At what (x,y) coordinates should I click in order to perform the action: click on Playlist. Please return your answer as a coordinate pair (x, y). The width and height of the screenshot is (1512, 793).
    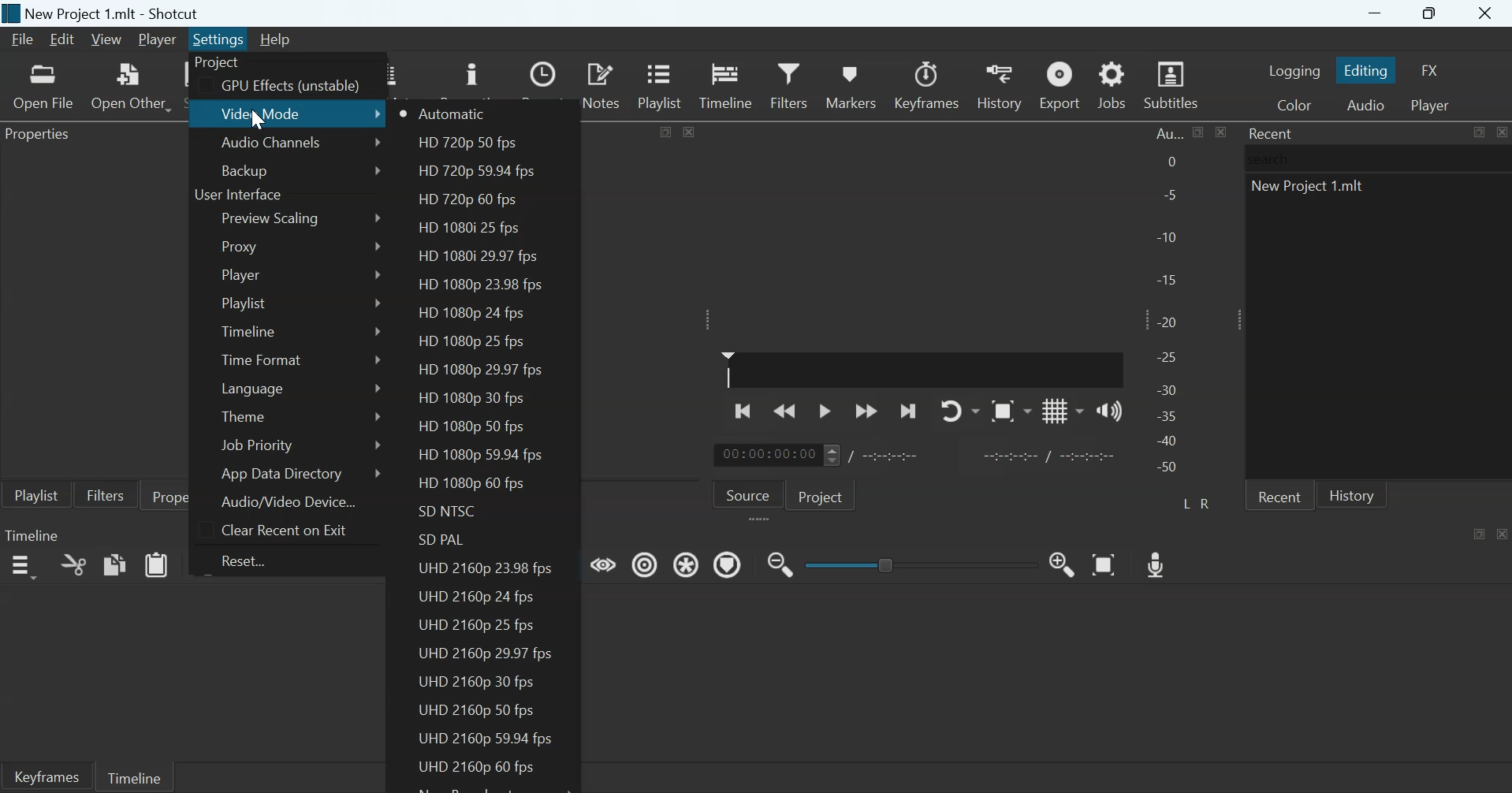
    Looking at the image, I should click on (244, 303).